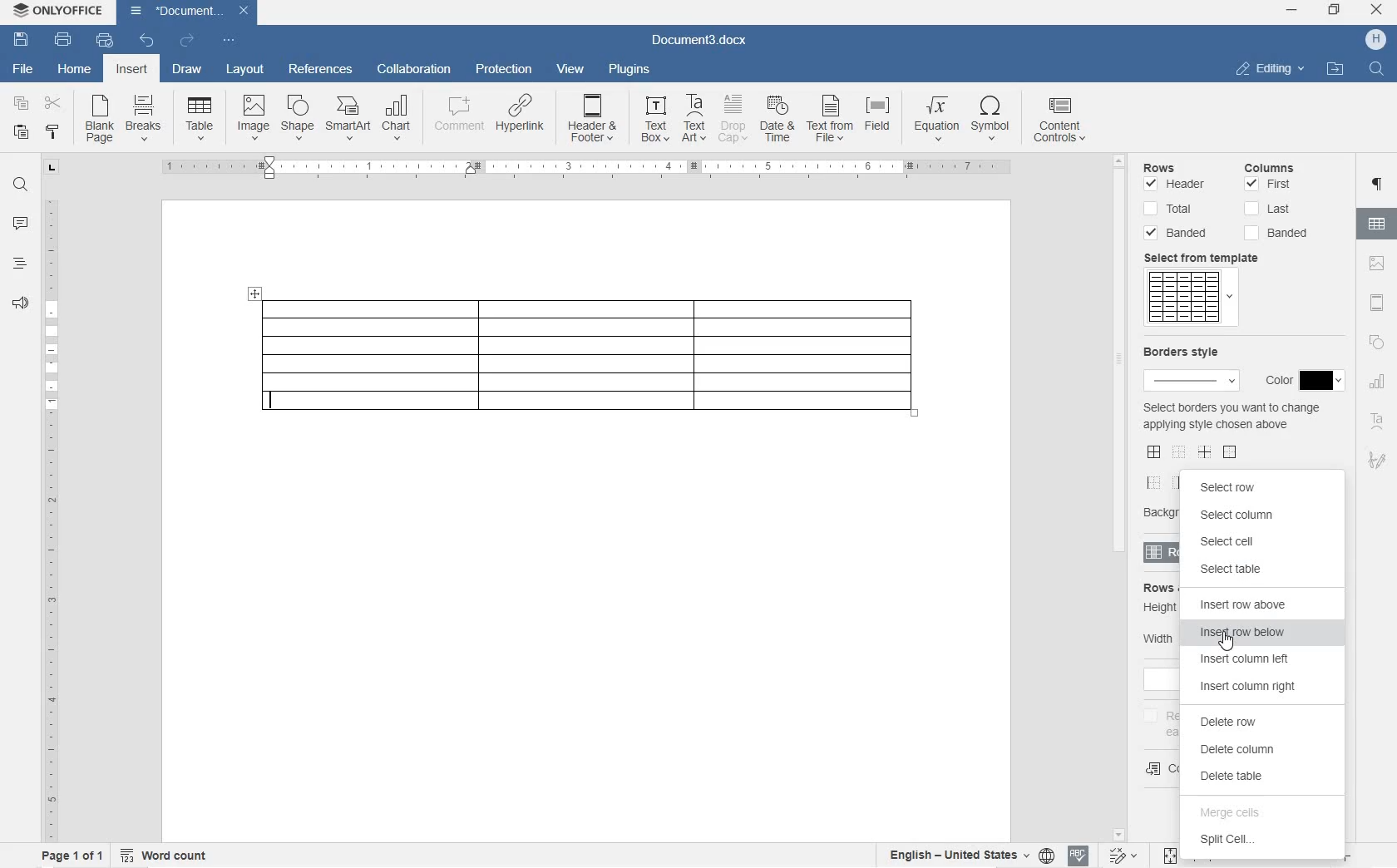 The width and height of the screenshot is (1397, 868). What do you see at coordinates (18, 303) in the screenshot?
I see `FEEDBACK & SUPPORT` at bounding box center [18, 303].